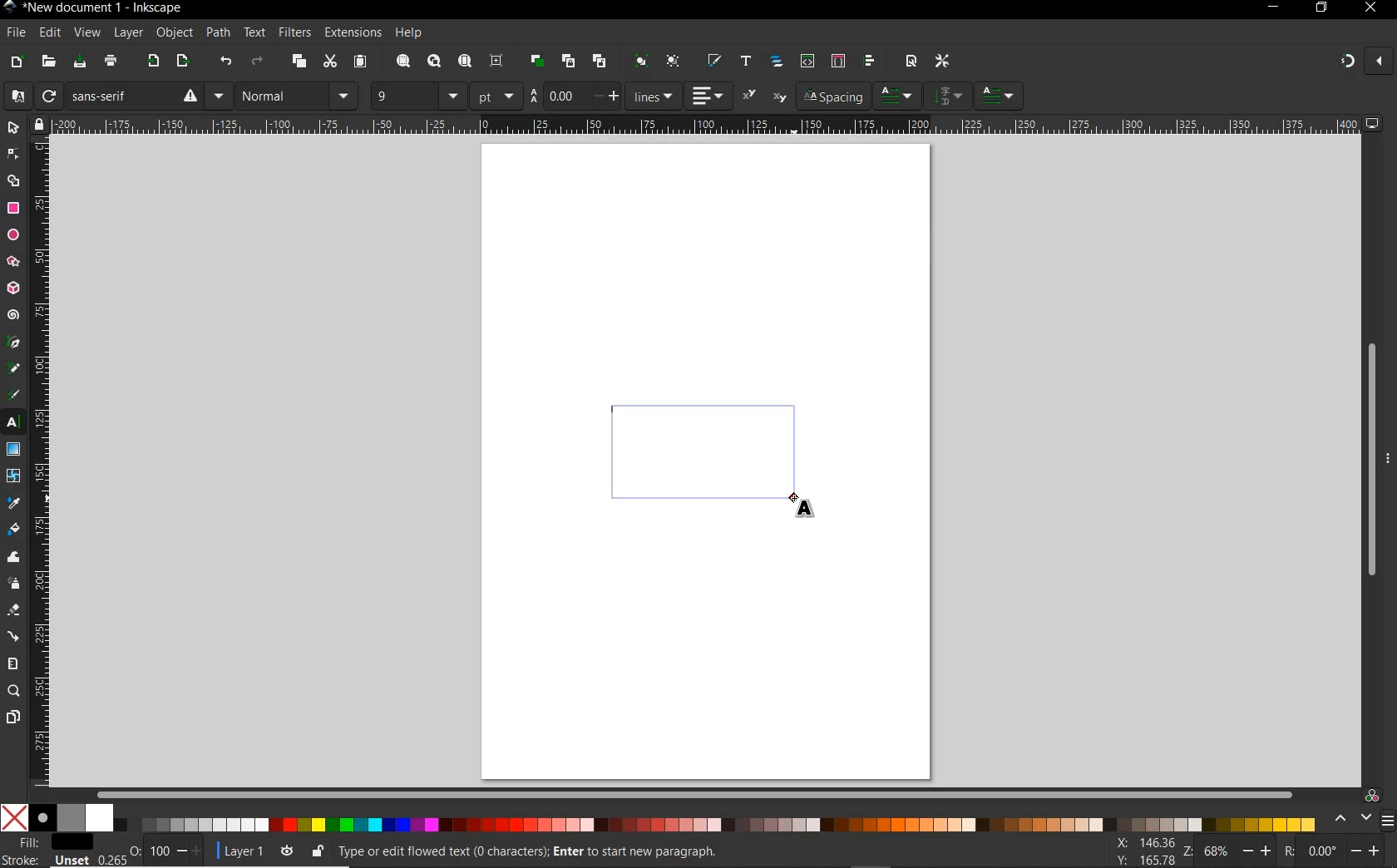 This screenshot has height=868, width=1397. What do you see at coordinates (1000, 96) in the screenshot?
I see `paragraph style` at bounding box center [1000, 96].